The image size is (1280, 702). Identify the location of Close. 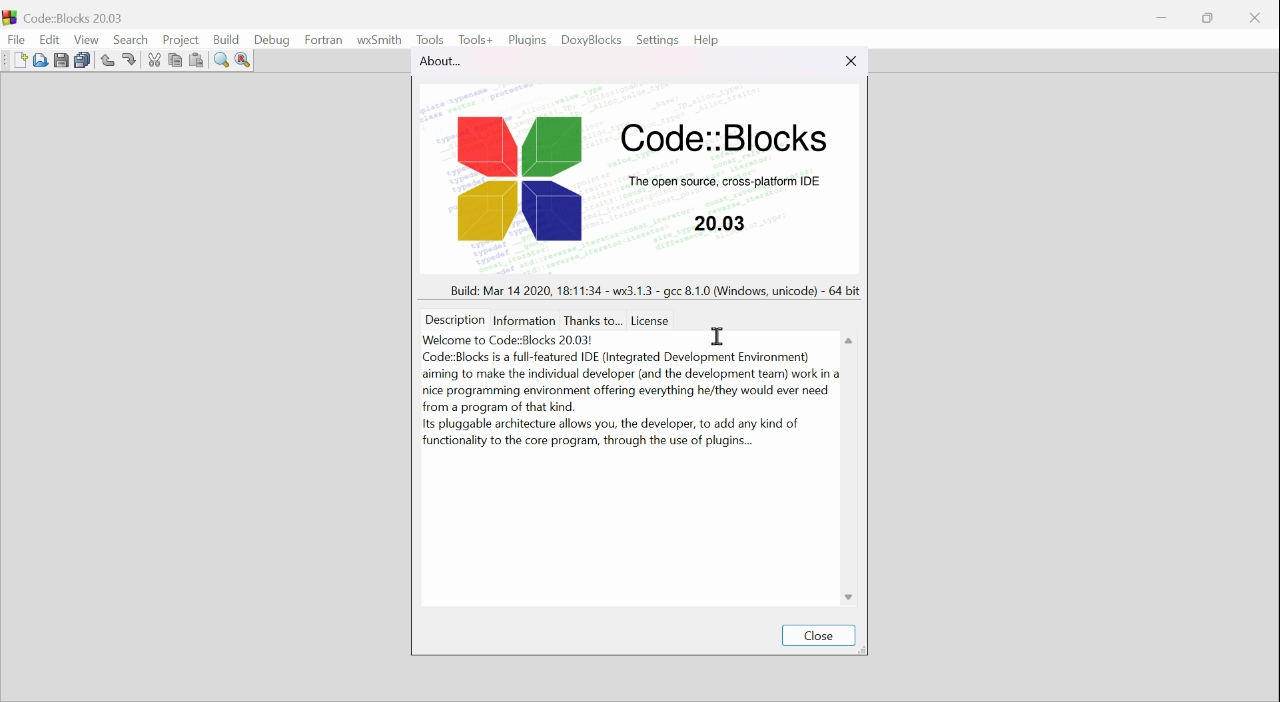
(1253, 20).